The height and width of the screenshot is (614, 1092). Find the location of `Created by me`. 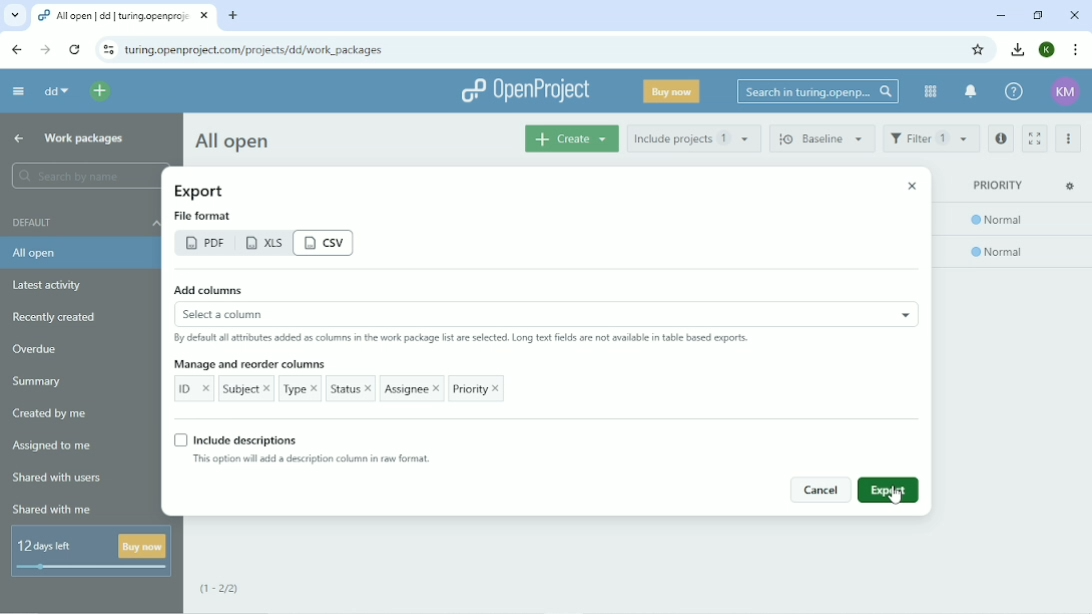

Created by me is located at coordinates (51, 414).